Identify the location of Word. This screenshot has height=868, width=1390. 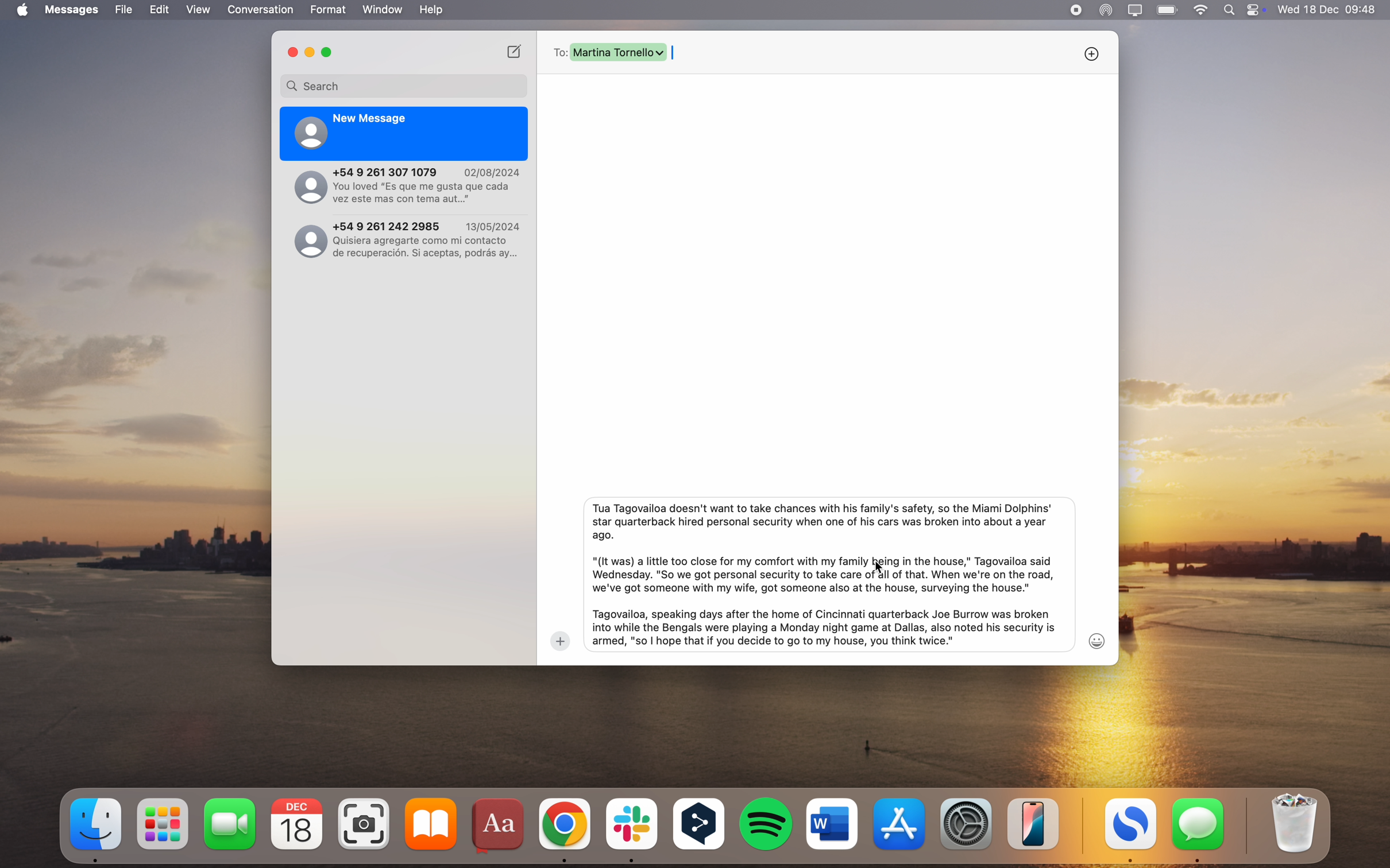
(832, 823).